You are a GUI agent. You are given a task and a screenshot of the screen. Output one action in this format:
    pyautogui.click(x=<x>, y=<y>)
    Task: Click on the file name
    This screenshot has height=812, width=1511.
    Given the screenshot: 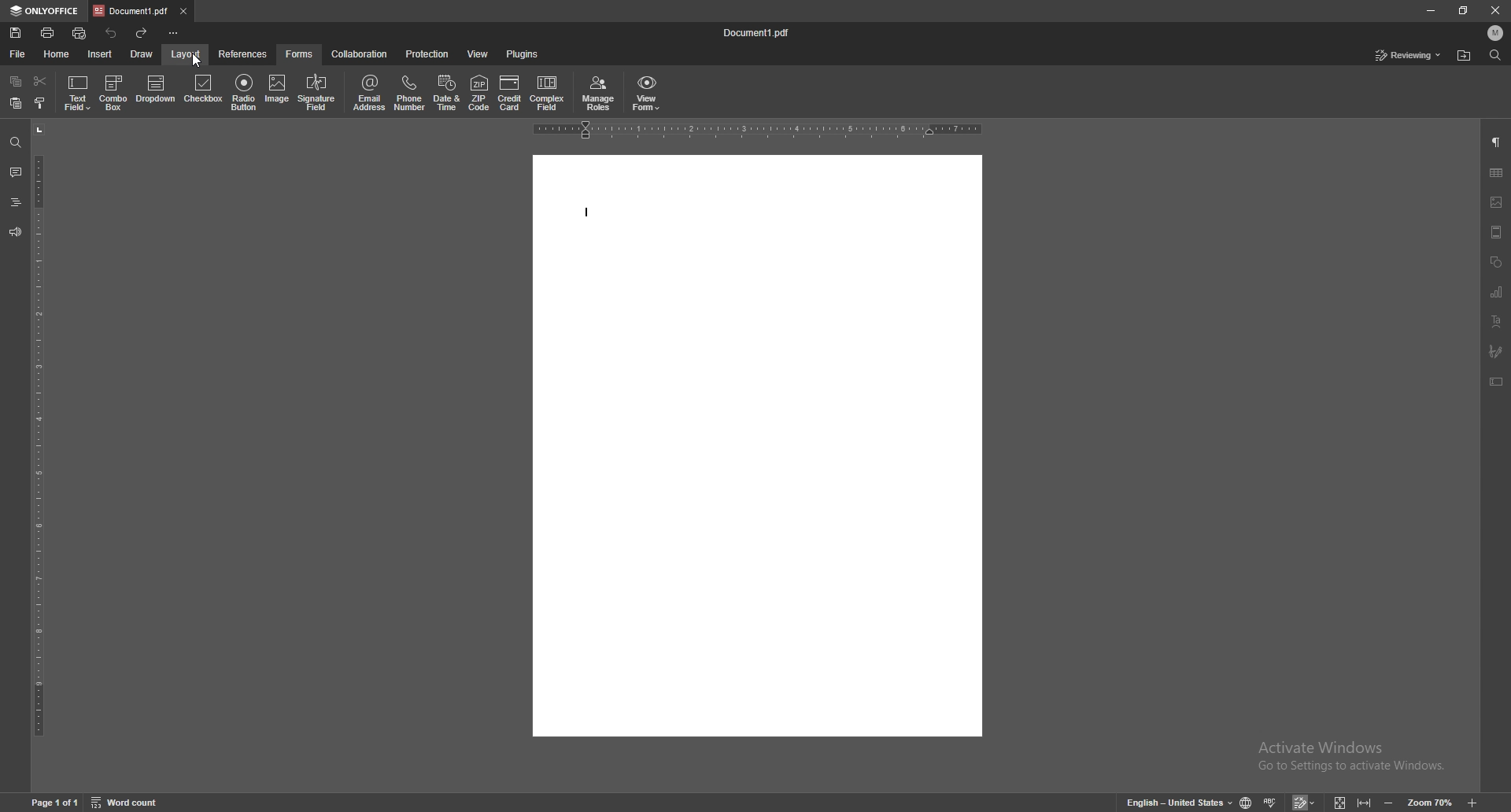 What is the action you would take?
    pyautogui.click(x=759, y=31)
    